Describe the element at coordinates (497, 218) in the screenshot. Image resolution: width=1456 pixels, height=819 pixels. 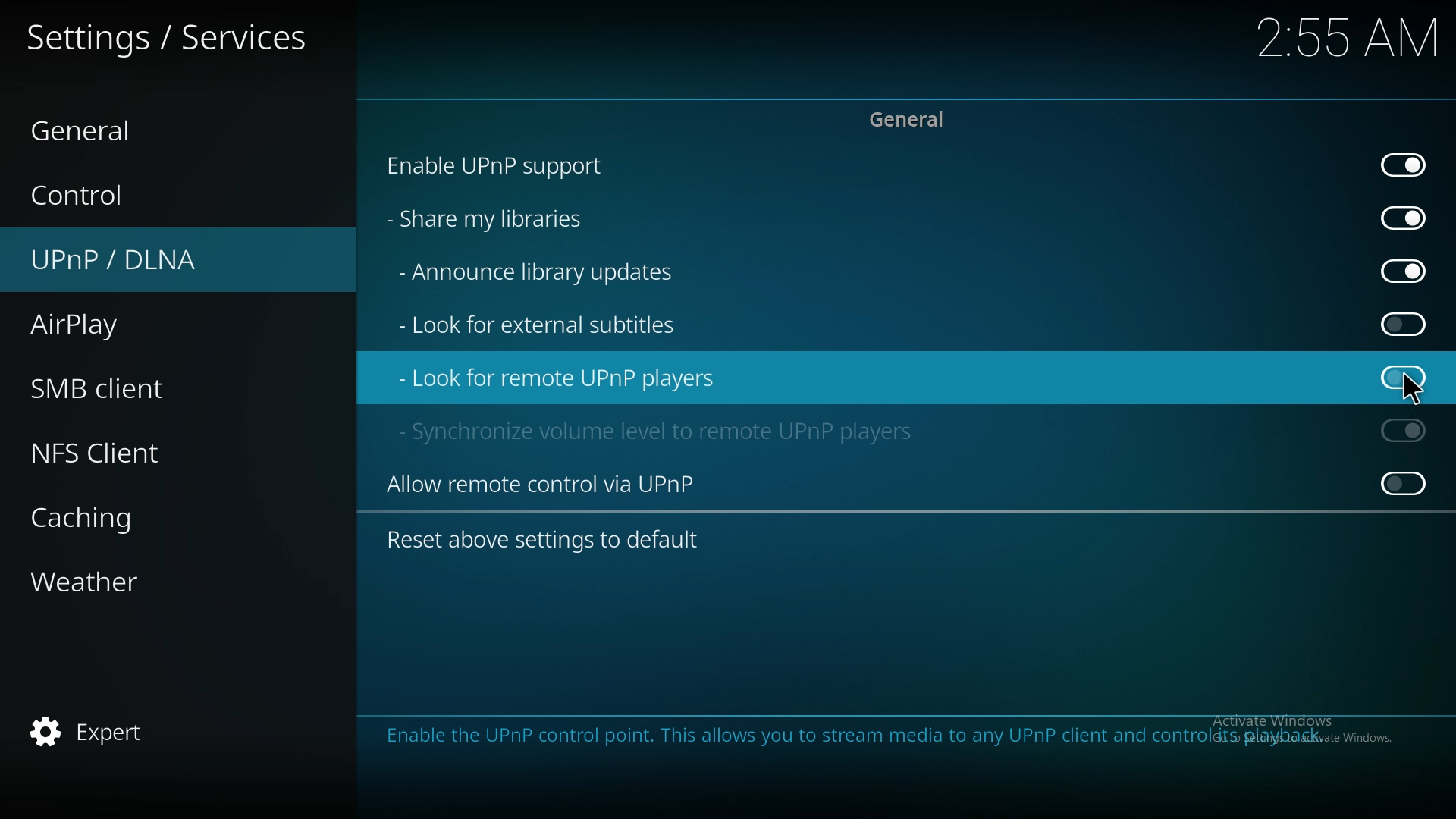
I see `share my libraries` at that location.